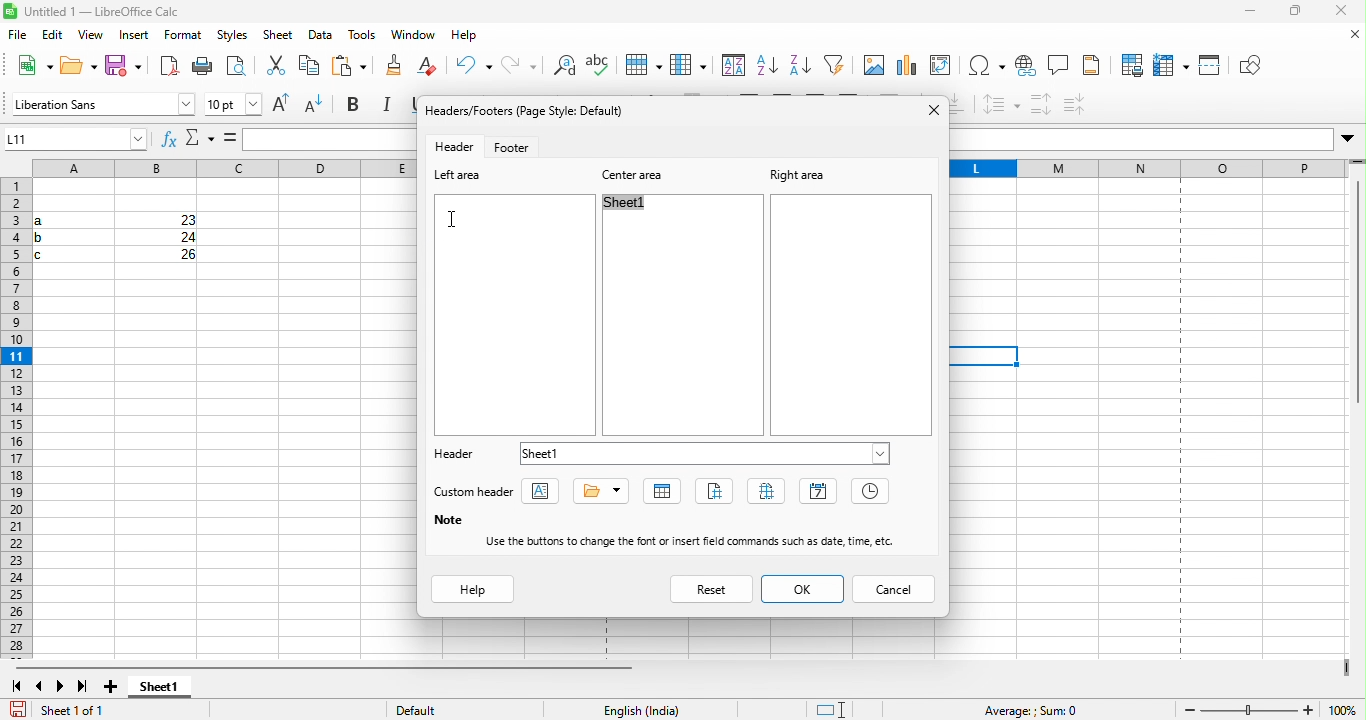 The height and width of the screenshot is (720, 1366). What do you see at coordinates (165, 139) in the screenshot?
I see `function wizard` at bounding box center [165, 139].